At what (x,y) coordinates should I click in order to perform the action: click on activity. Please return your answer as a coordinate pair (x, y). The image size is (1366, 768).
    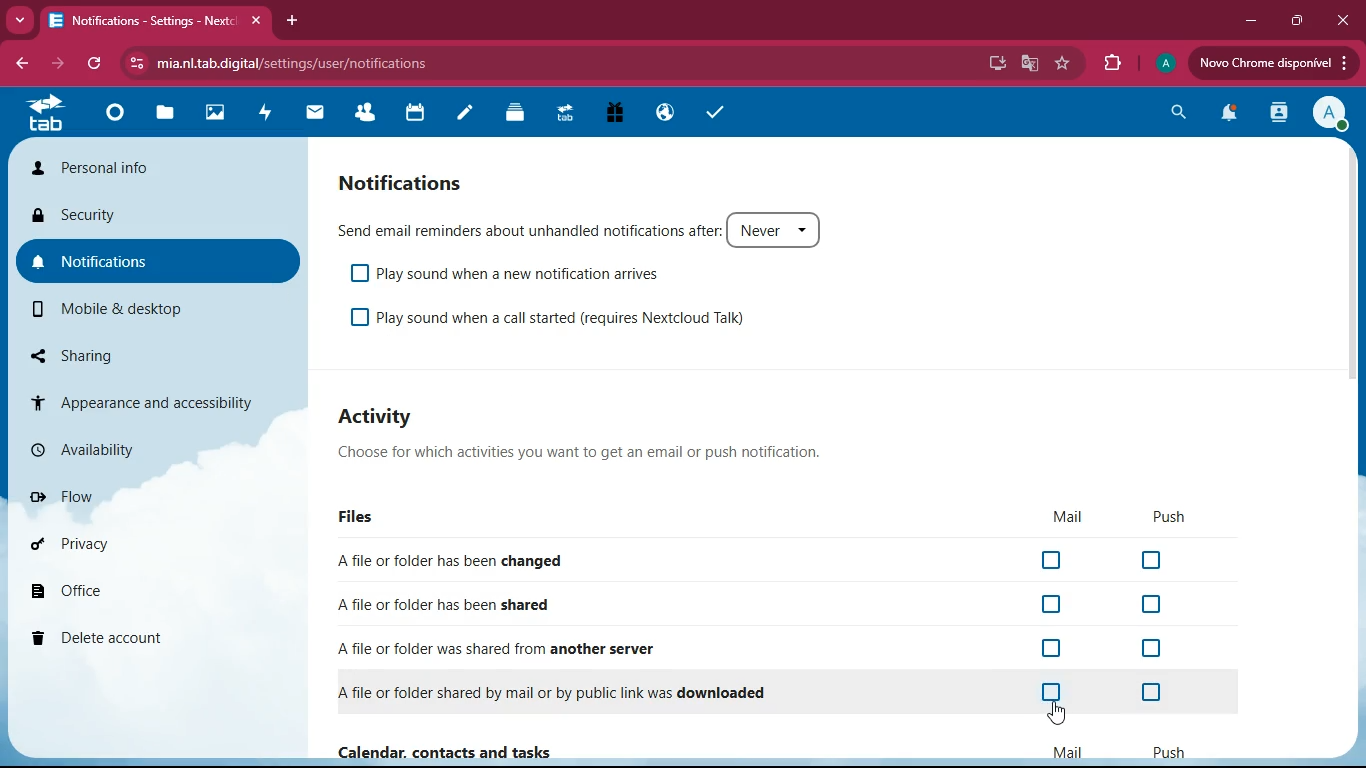
    Looking at the image, I should click on (1278, 112).